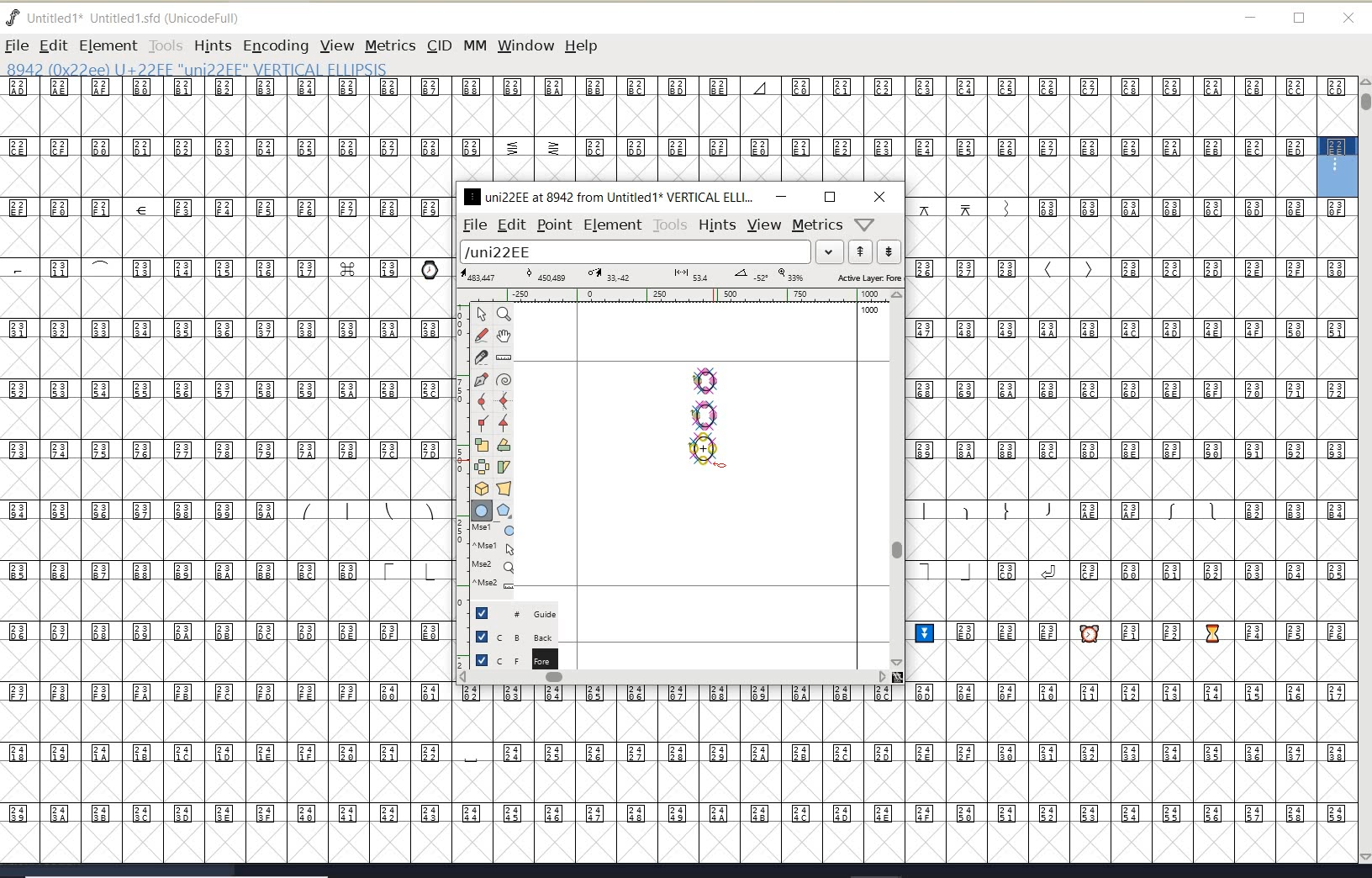 This screenshot has height=878, width=1372. Describe the element at coordinates (504, 314) in the screenshot. I see `magnify` at that location.